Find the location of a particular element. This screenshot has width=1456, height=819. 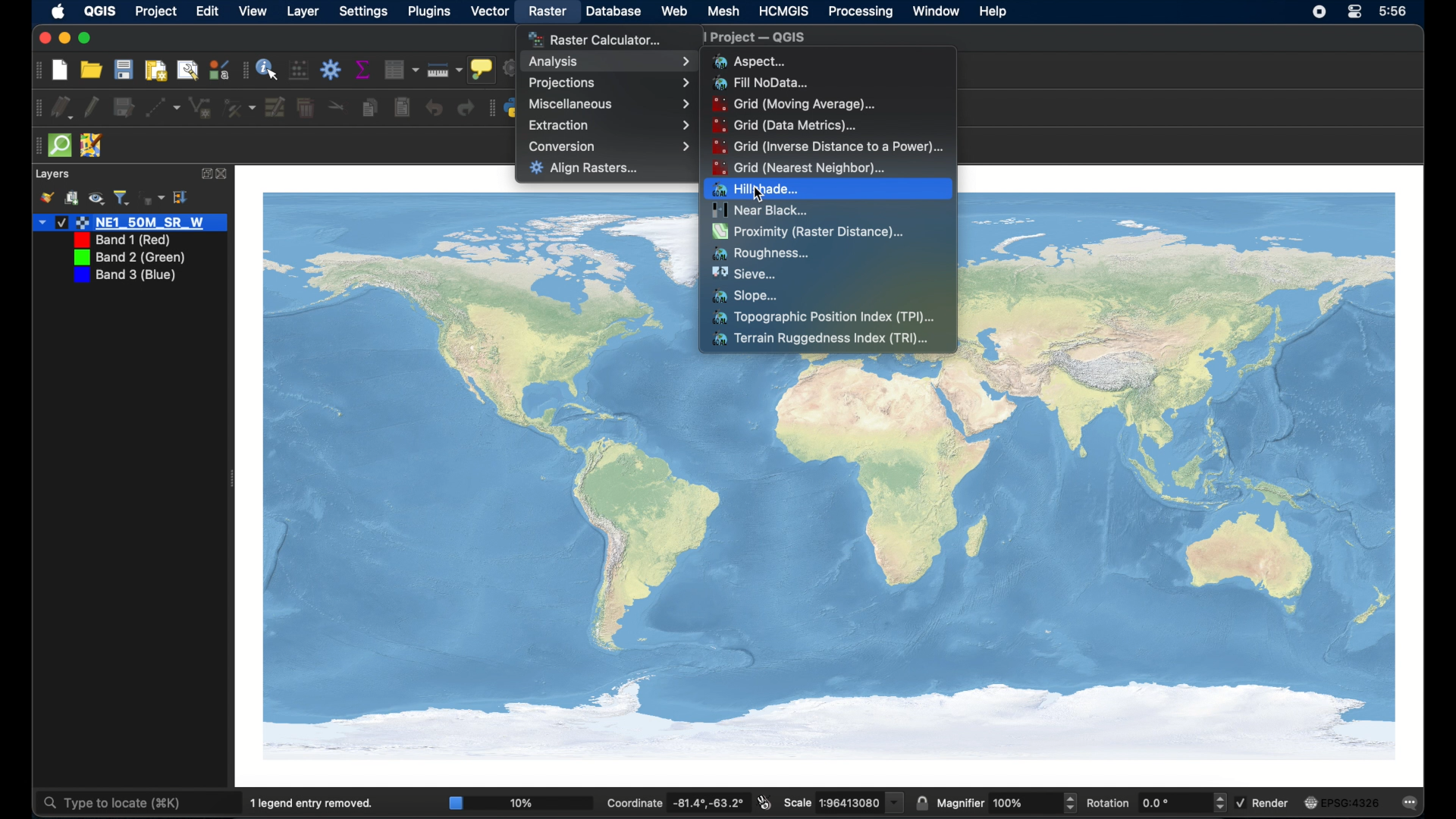

rotation is located at coordinates (1156, 802).